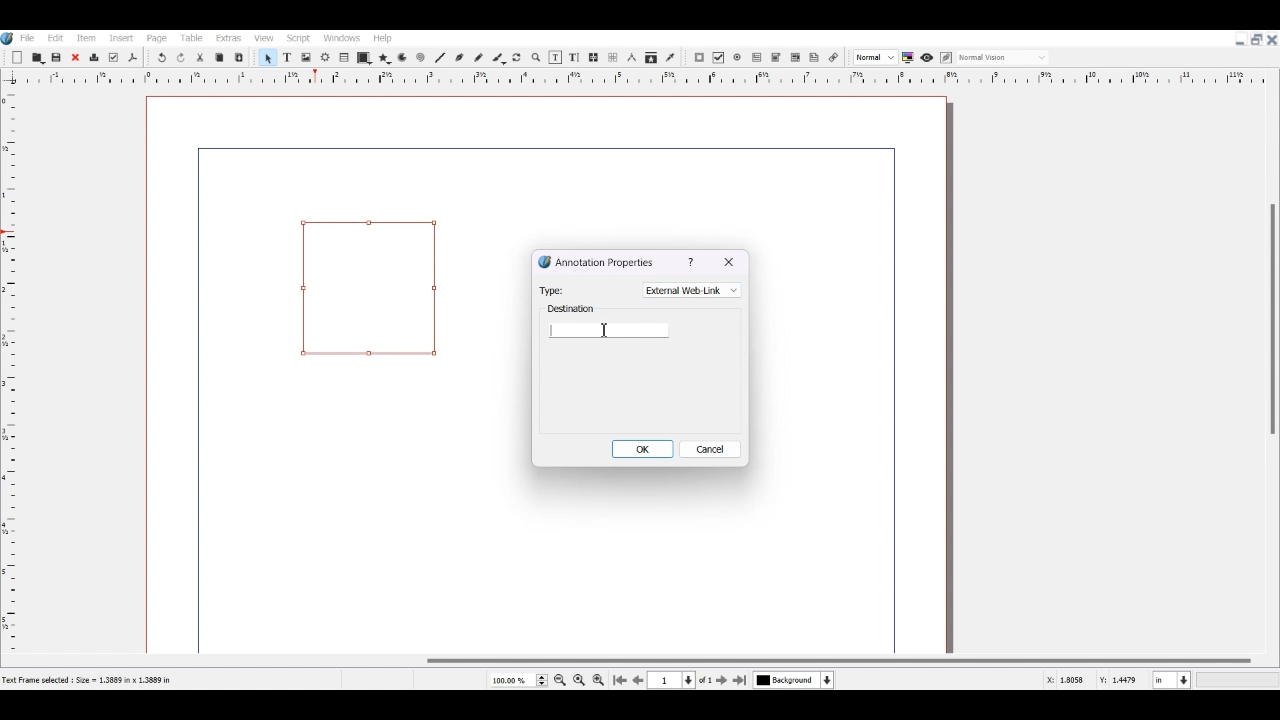 This screenshot has width=1280, height=720. What do you see at coordinates (343, 37) in the screenshot?
I see `Windows` at bounding box center [343, 37].